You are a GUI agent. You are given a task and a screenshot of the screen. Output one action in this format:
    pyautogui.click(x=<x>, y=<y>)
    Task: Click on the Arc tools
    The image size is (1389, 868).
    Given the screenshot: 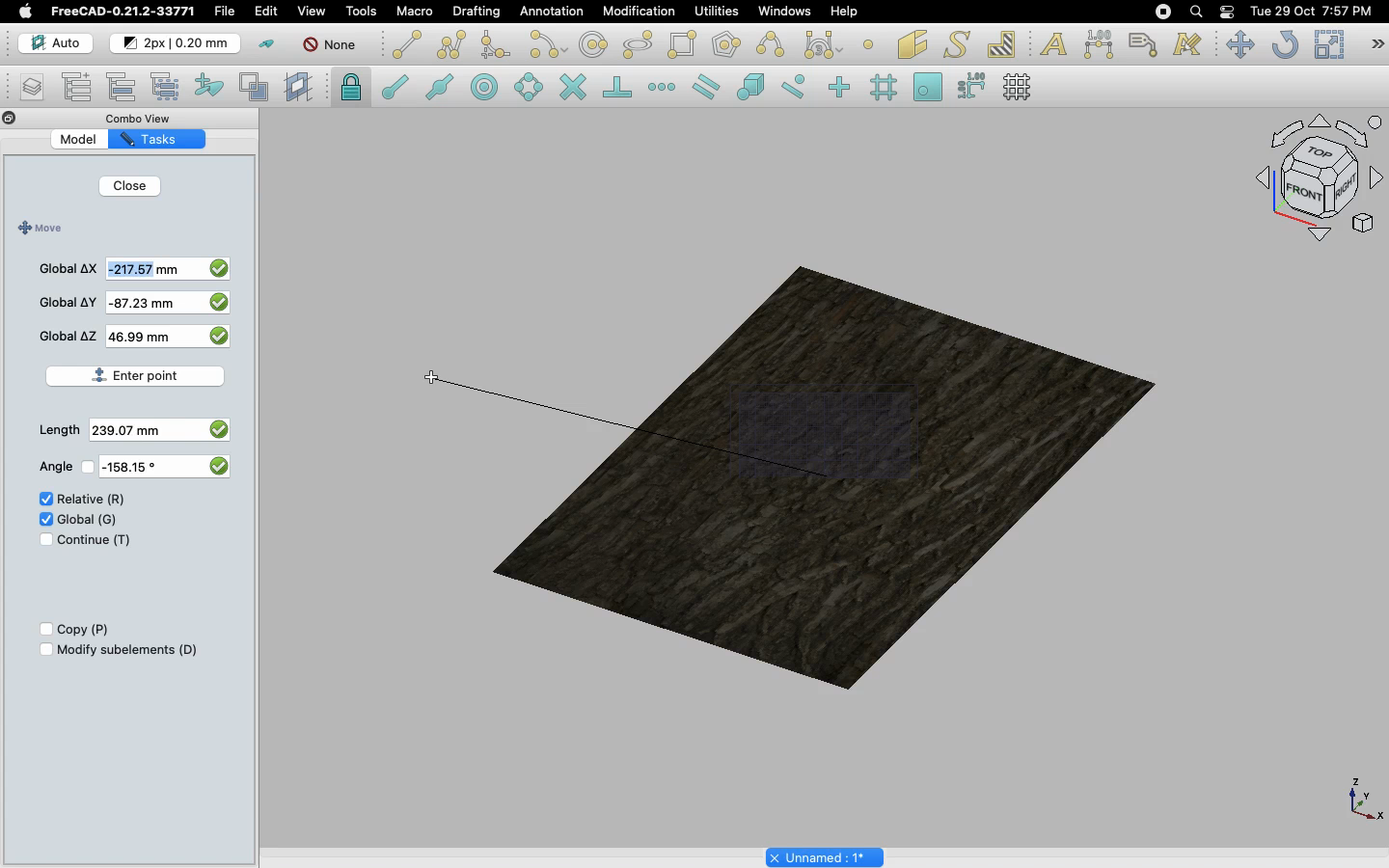 What is the action you would take?
    pyautogui.click(x=547, y=46)
    